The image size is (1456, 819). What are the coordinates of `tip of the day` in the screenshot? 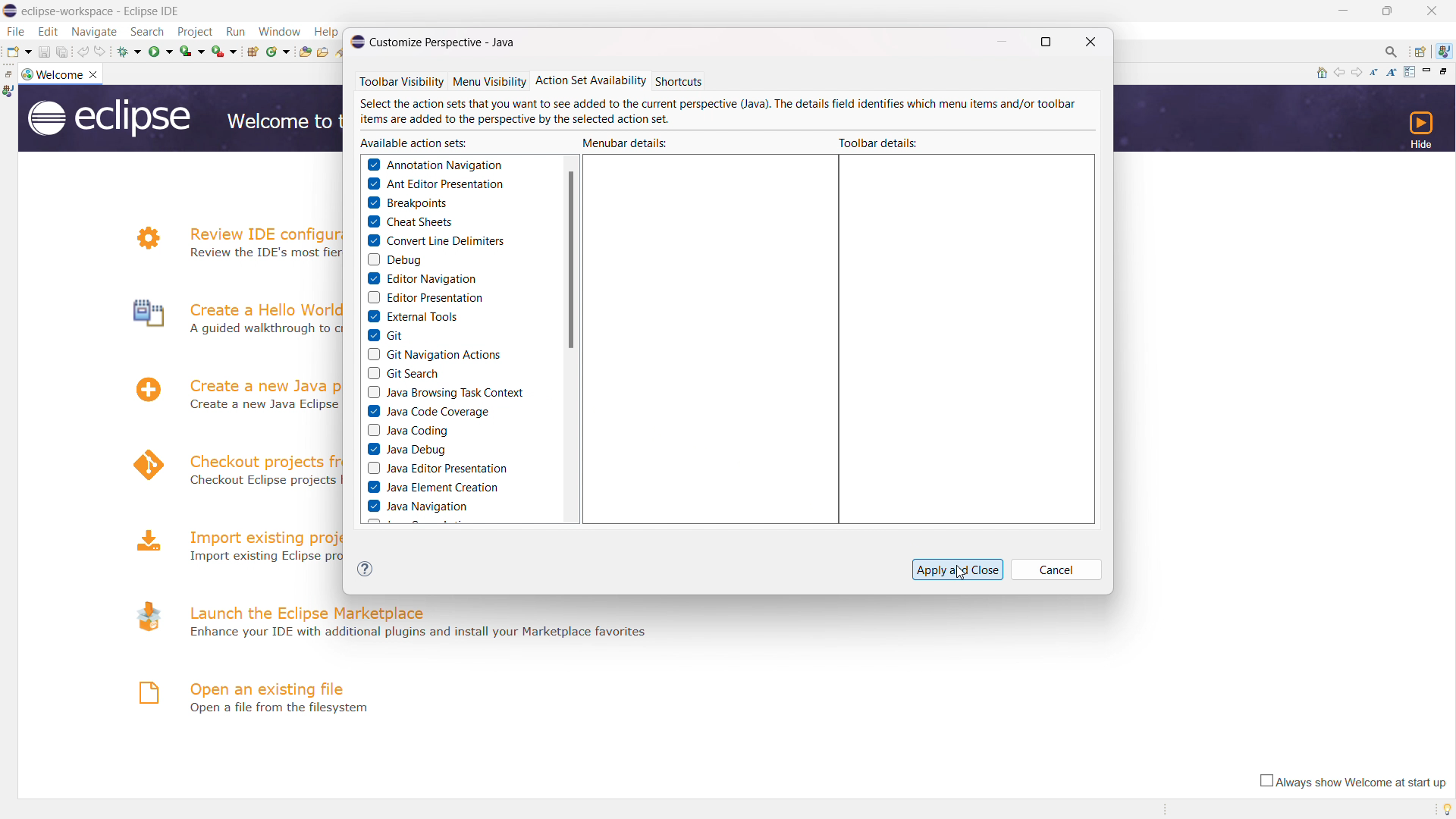 It's located at (1442, 808).